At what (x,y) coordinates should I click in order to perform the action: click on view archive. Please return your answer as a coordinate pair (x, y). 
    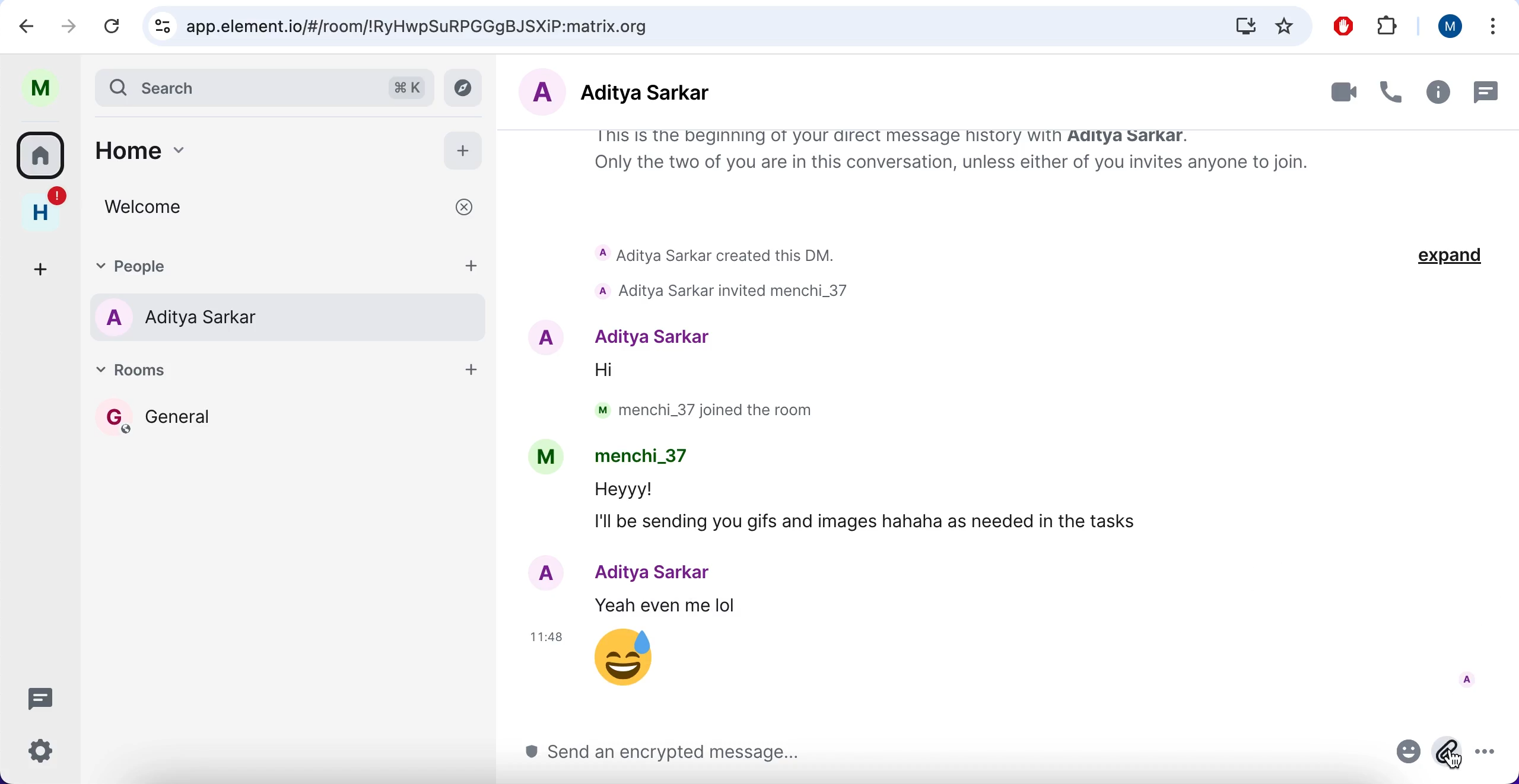
    Looking at the image, I should click on (467, 88).